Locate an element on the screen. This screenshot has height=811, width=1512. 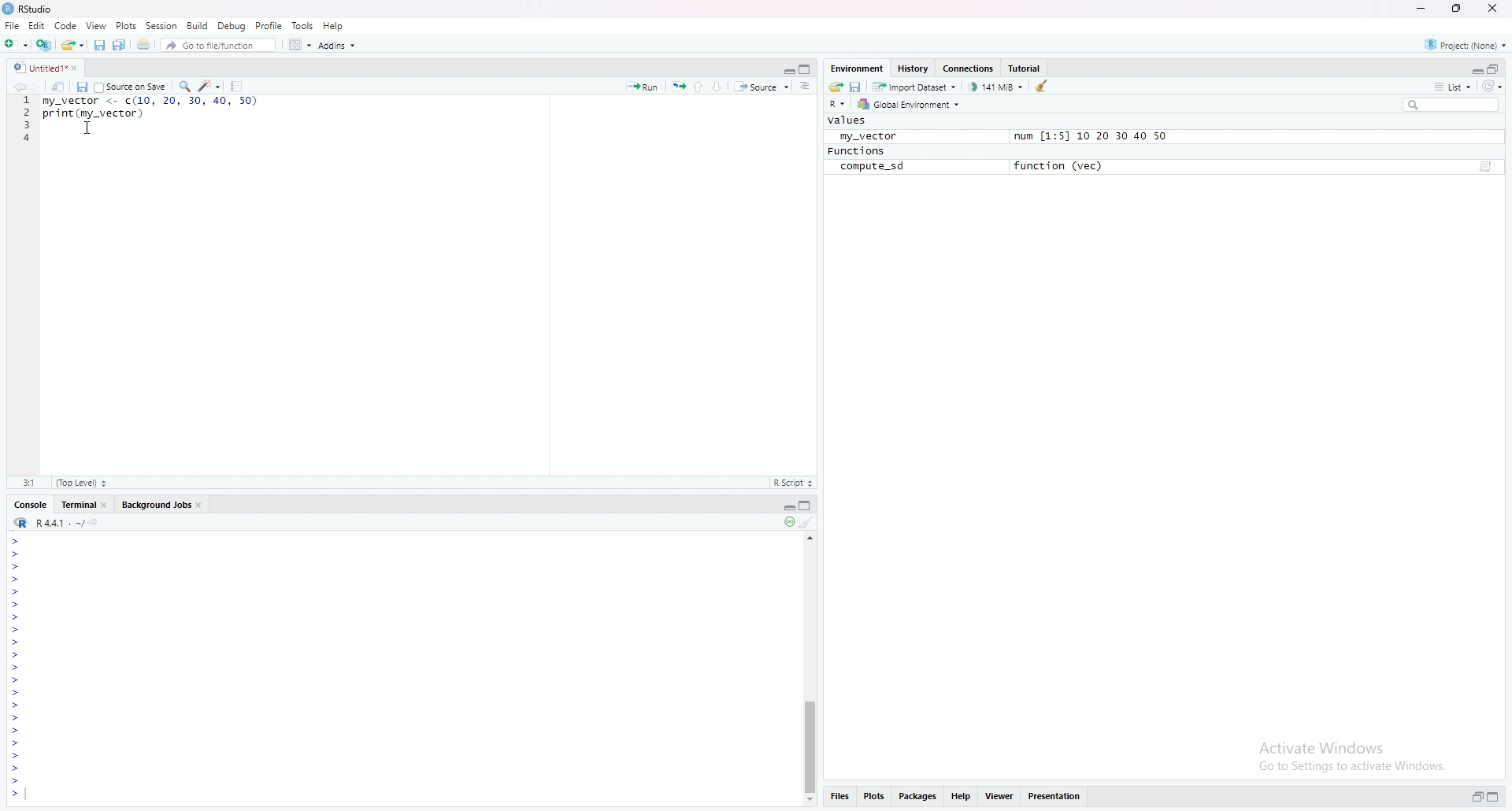
my_vector <- c(10, 20, 30, 40, 50)   print(my_vector) is located at coordinates (148, 116).